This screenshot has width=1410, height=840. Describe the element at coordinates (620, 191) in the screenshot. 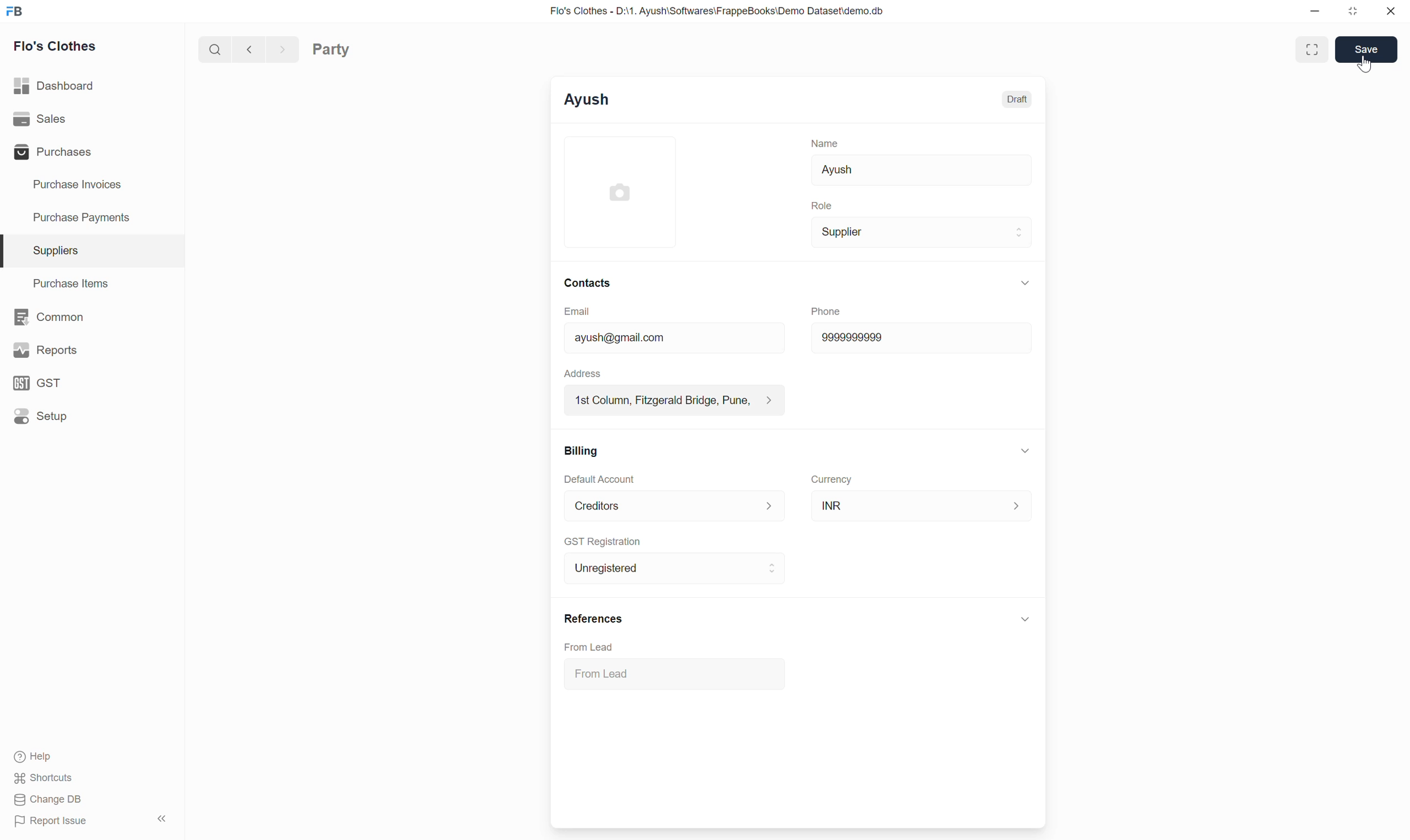

I see `Click to add image` at that location.